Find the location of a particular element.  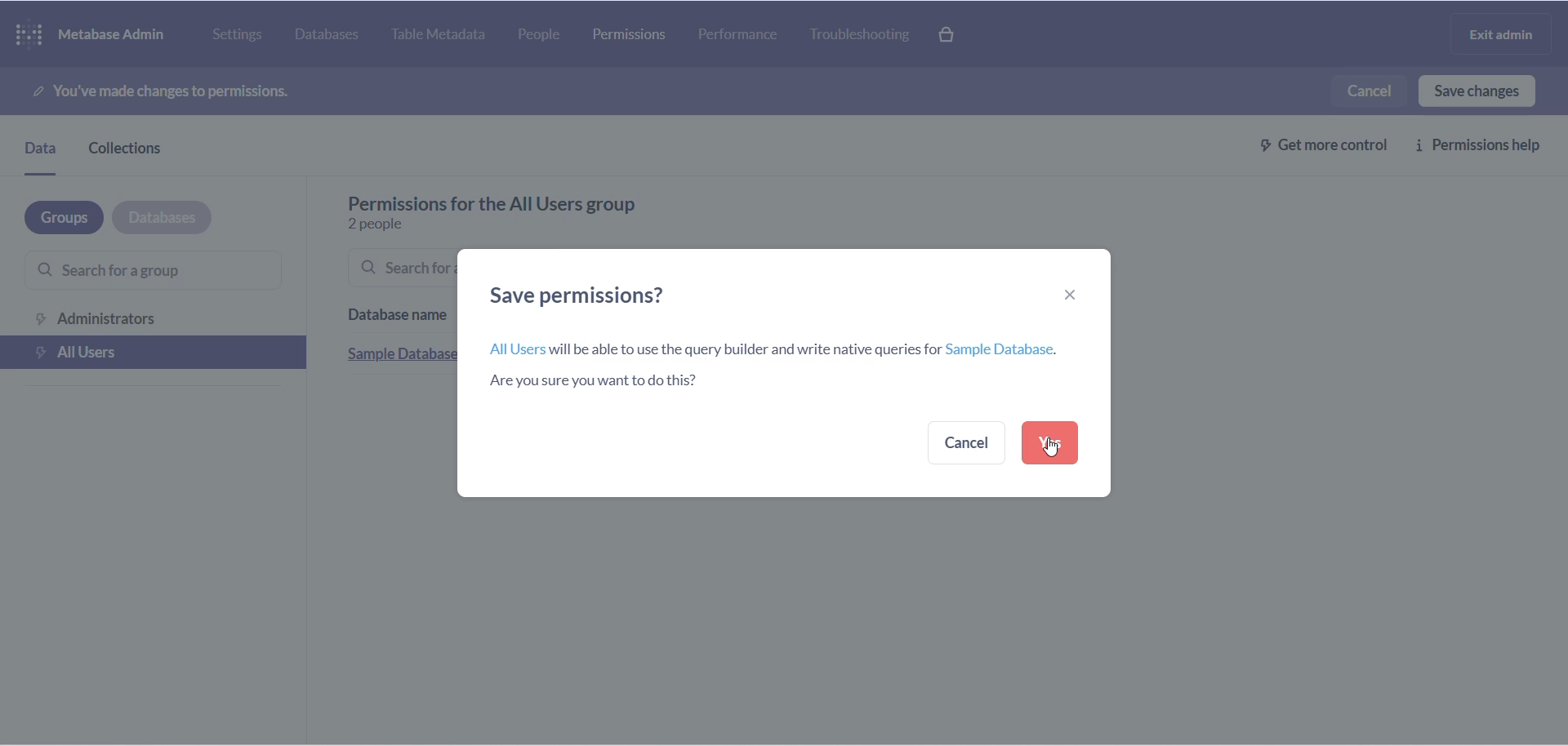

settings is located at coordinates (239, 34).